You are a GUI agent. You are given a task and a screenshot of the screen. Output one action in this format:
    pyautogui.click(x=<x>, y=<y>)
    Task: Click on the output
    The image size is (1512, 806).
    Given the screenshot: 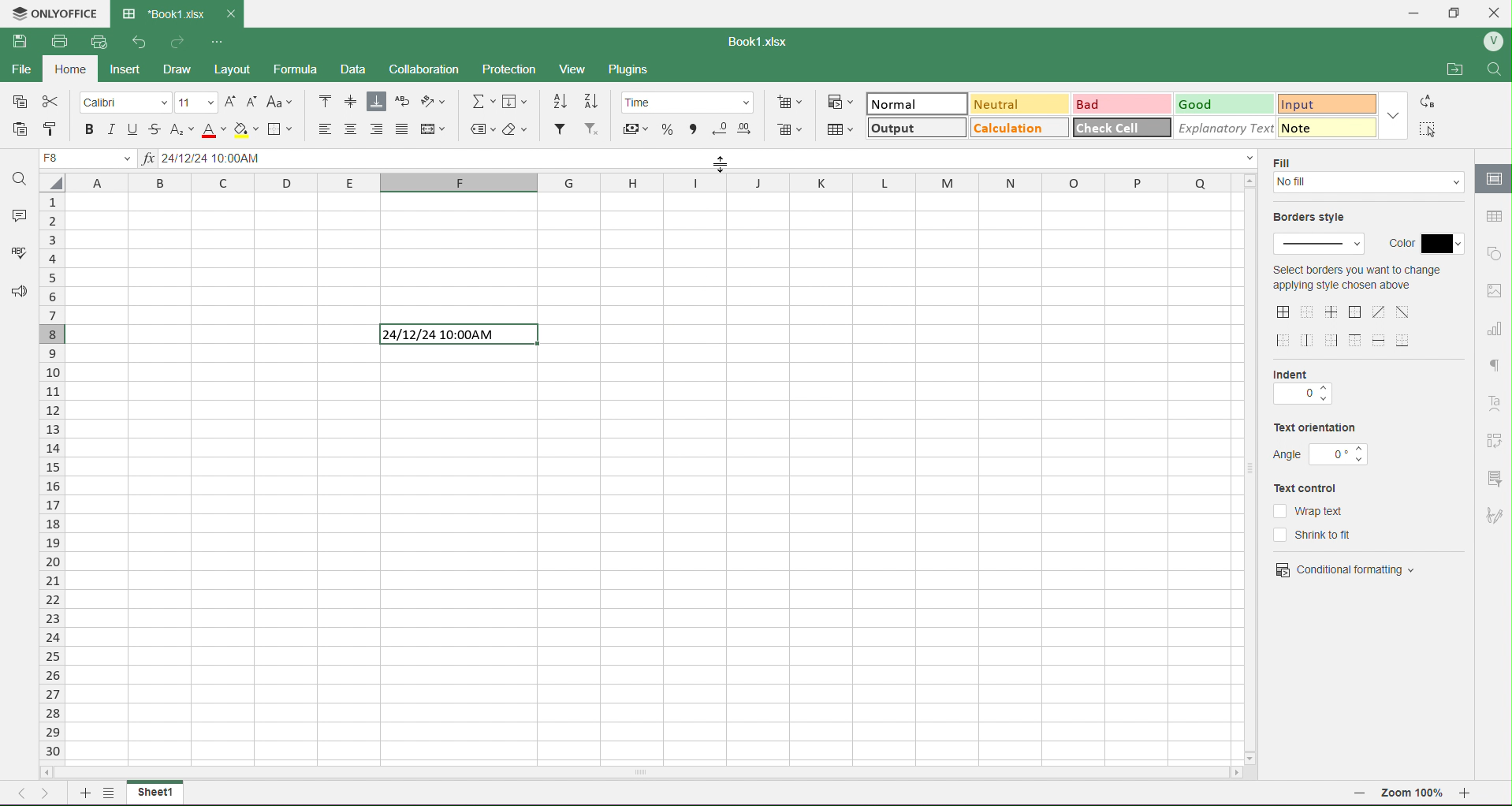 What is the action you would take?
    pyautogui.click(x=896, y=130)
    